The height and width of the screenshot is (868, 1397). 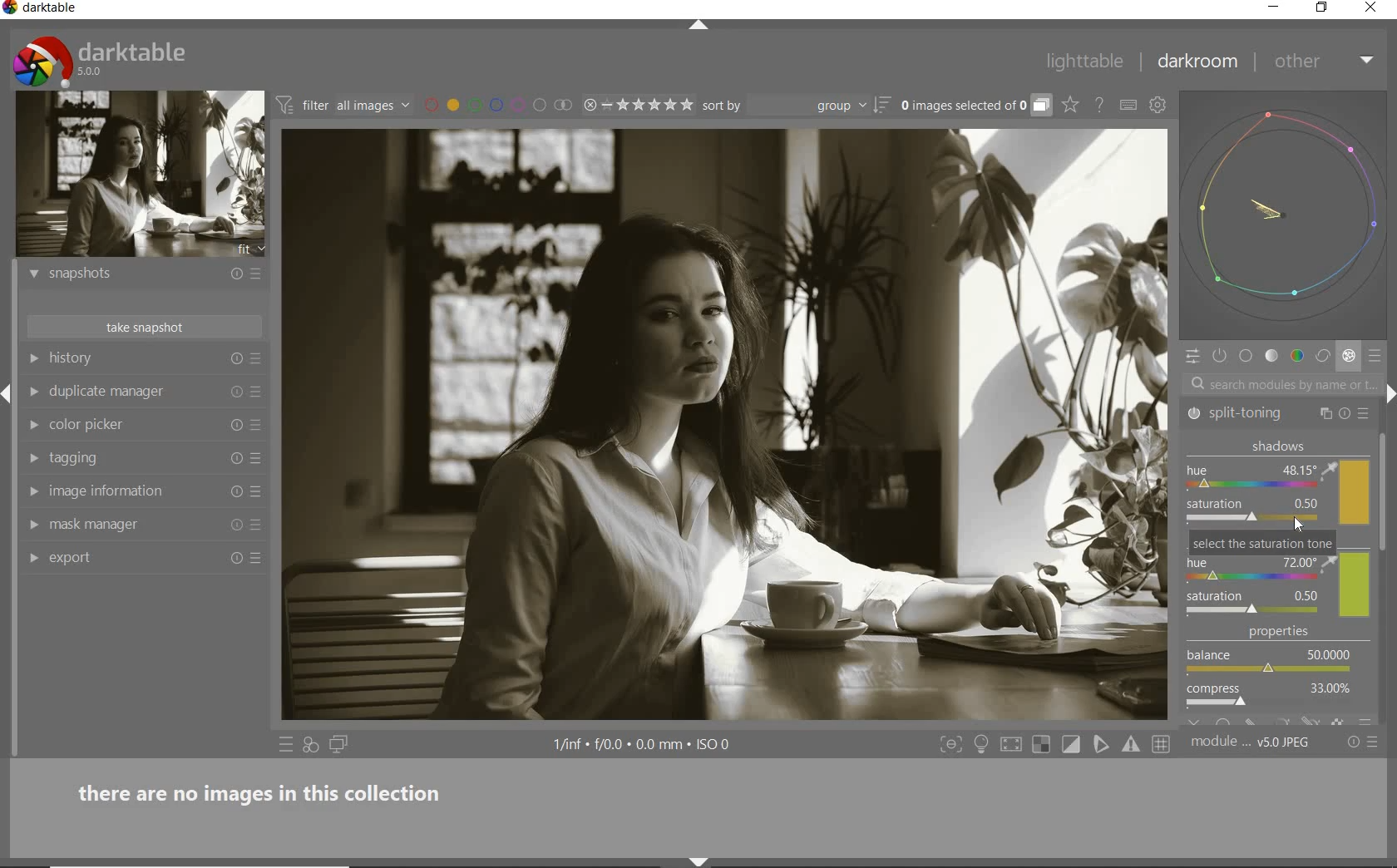 I want to click on toggle high quality processing, so click(x=1013, y=745).